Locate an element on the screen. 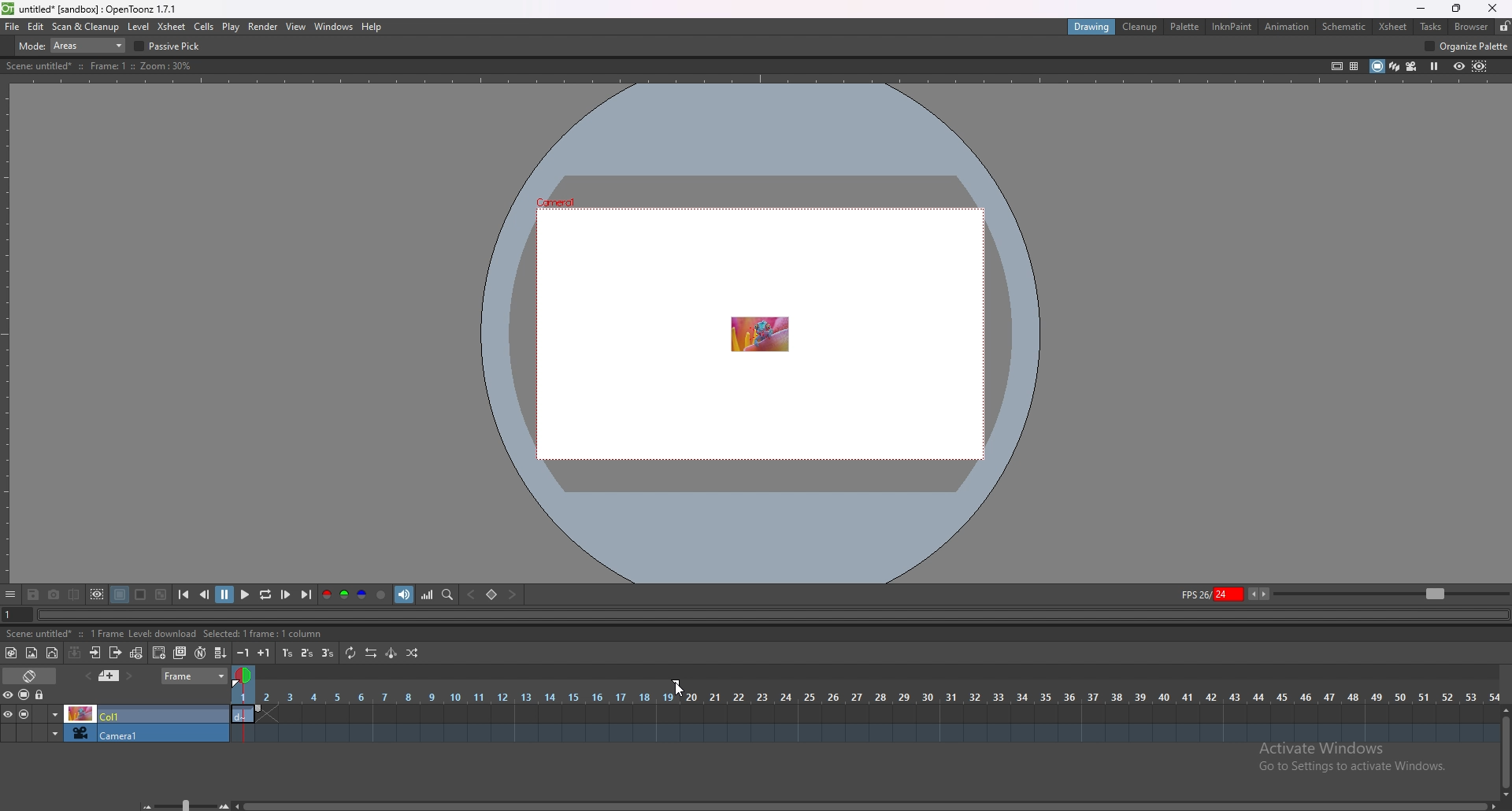  sub camera preview is located at coordinates (1480, 67).